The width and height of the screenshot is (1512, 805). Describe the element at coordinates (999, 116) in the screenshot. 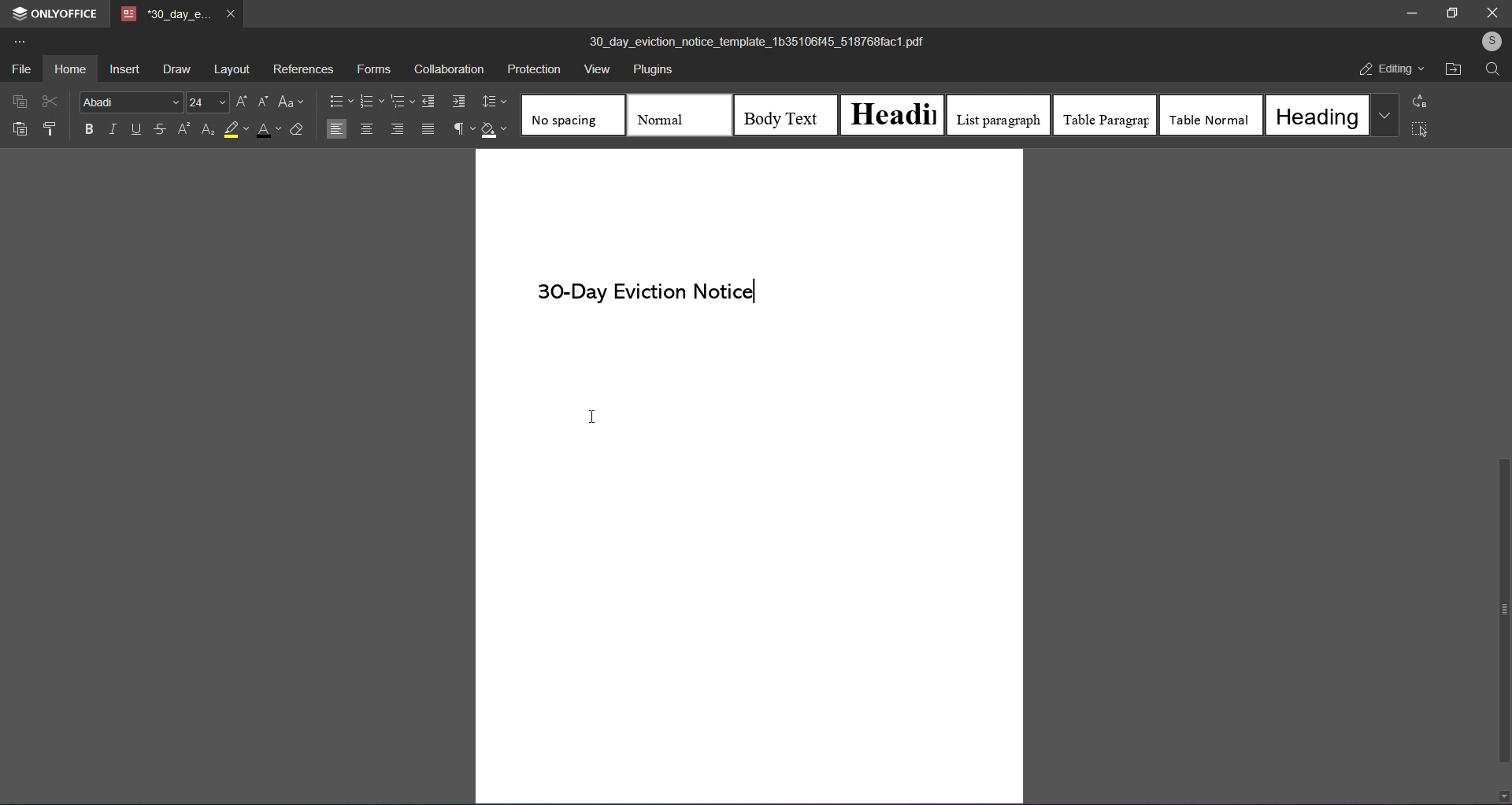

I see `list paragraph` at that location.